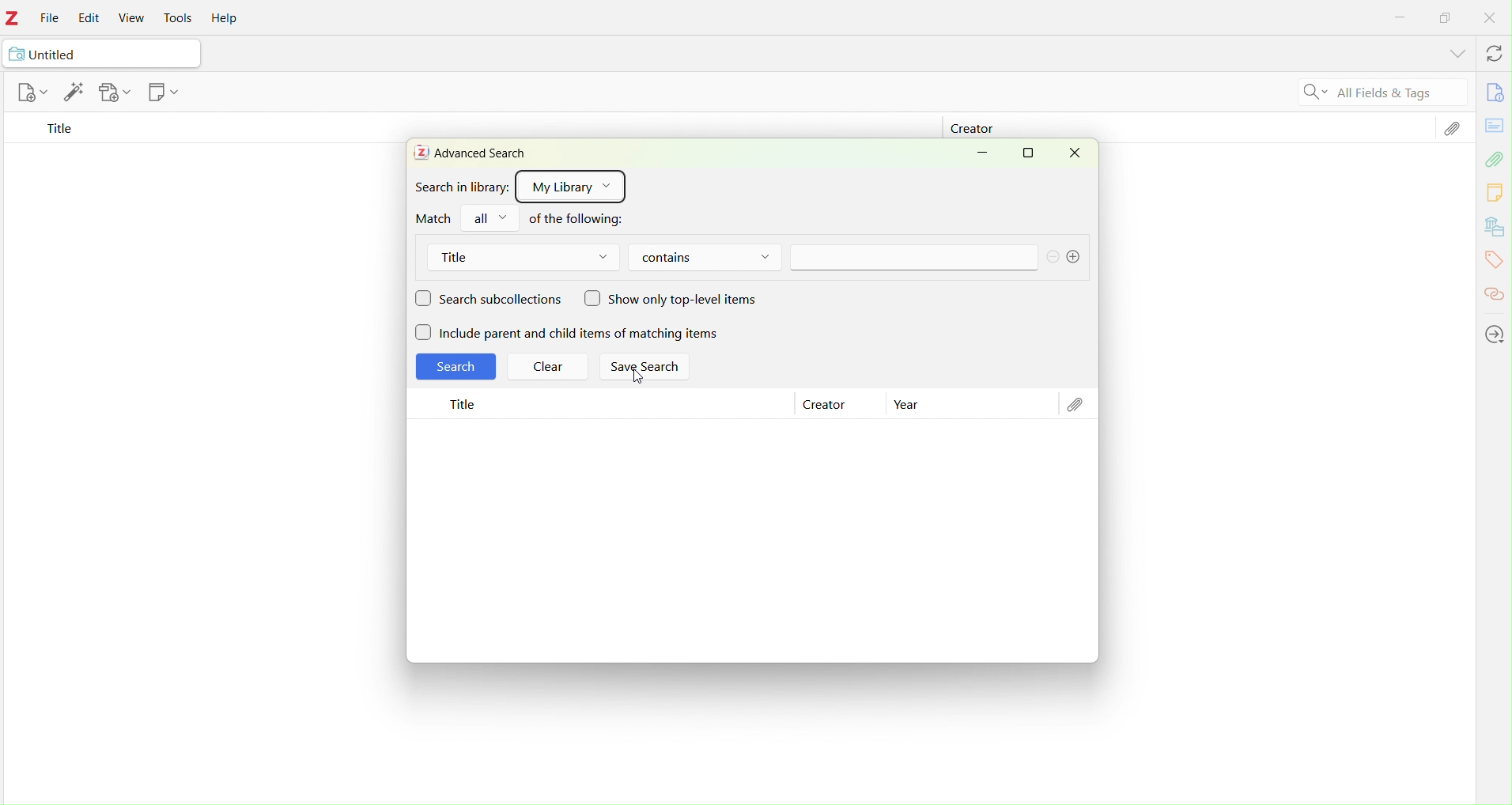 The image size is (1512, 805). What do you see at coordinates (31, 93) in the screenshot?
I see `new documents` at bounding box center [31, 93].